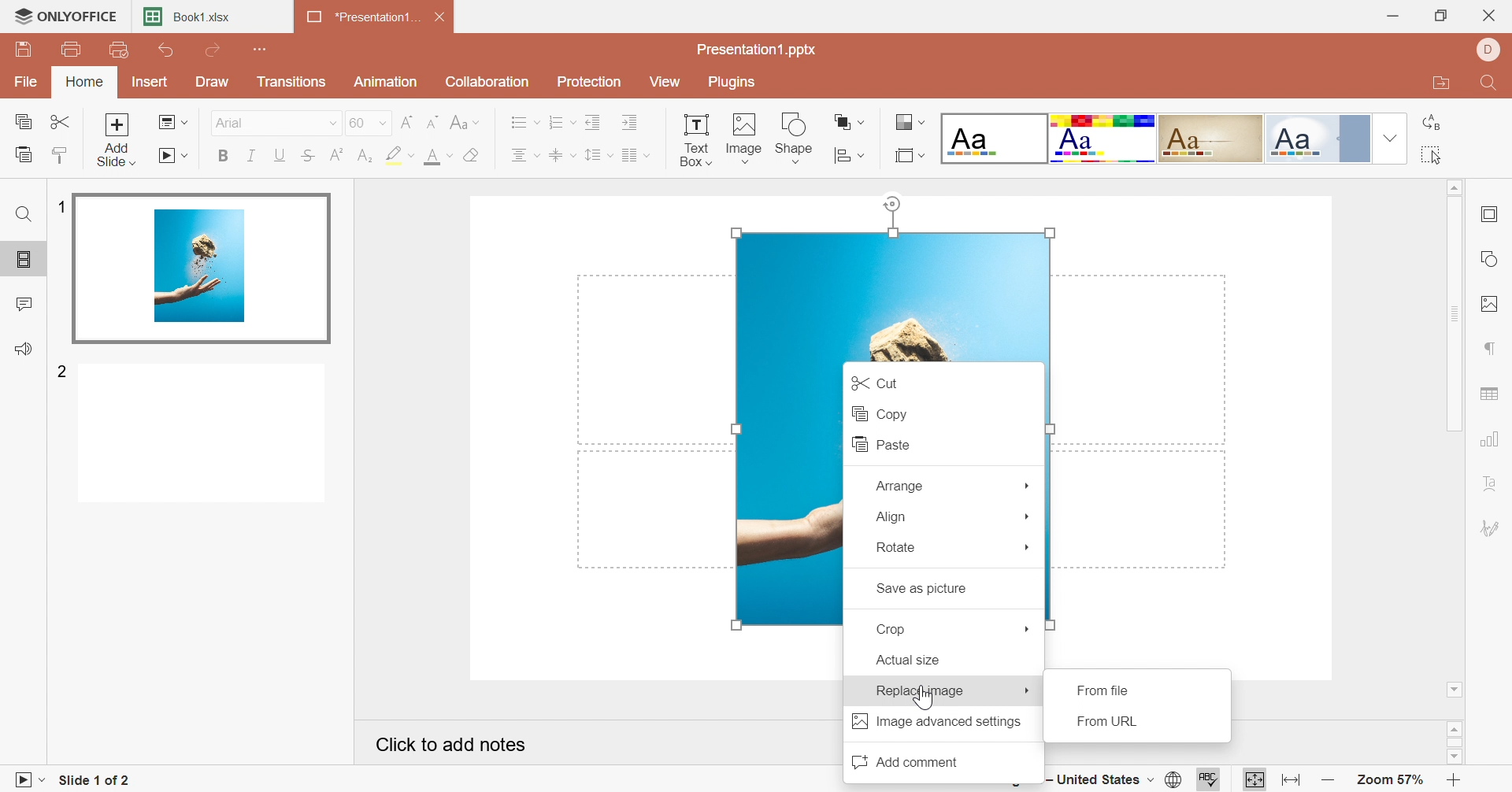 The width and height of the screenshot is (1512, 792). I want to click on Collaboration, so click(489, 81).